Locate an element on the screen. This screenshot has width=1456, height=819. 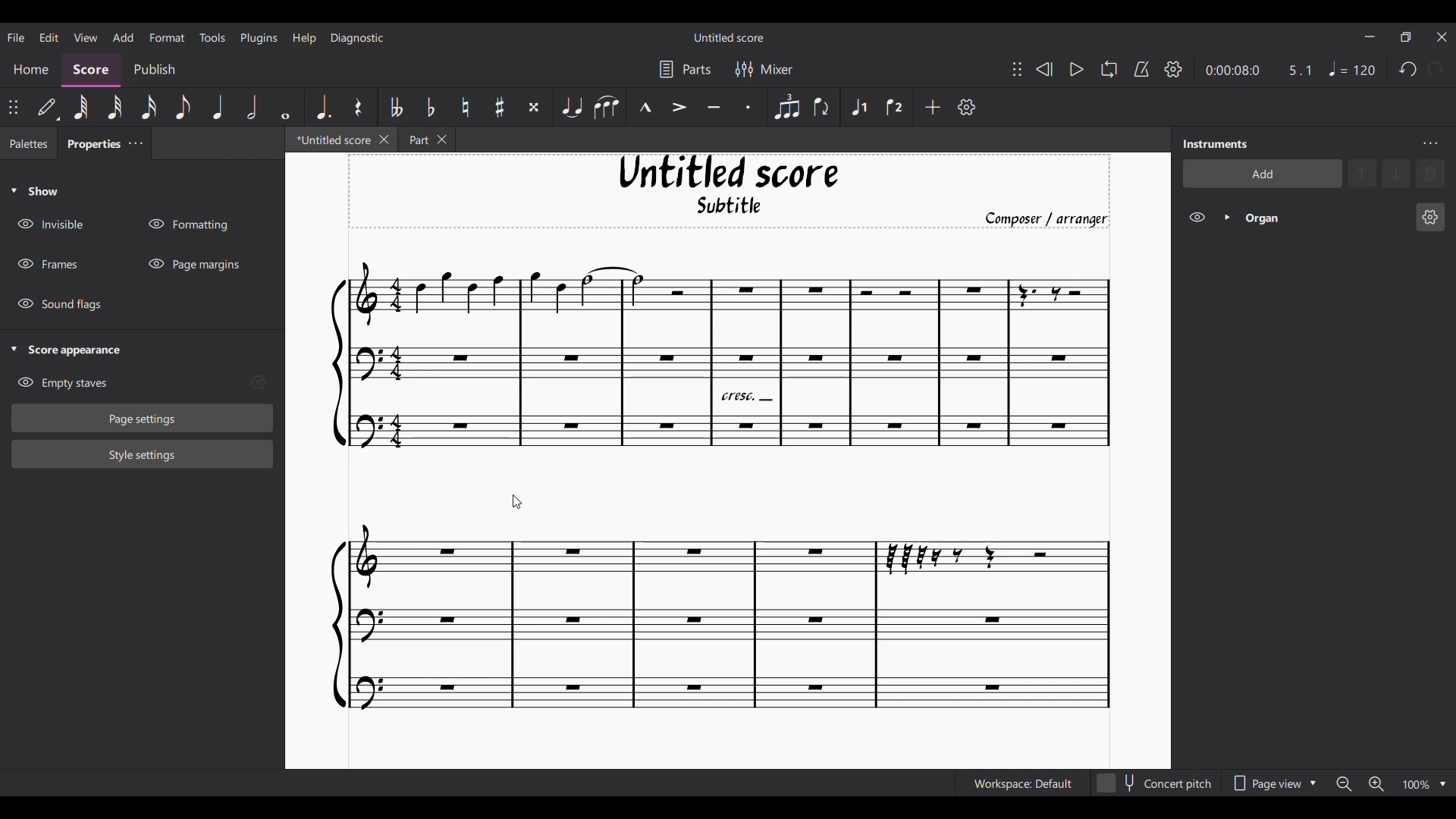
Current tab highlighted is located at coordinates (328, 142).